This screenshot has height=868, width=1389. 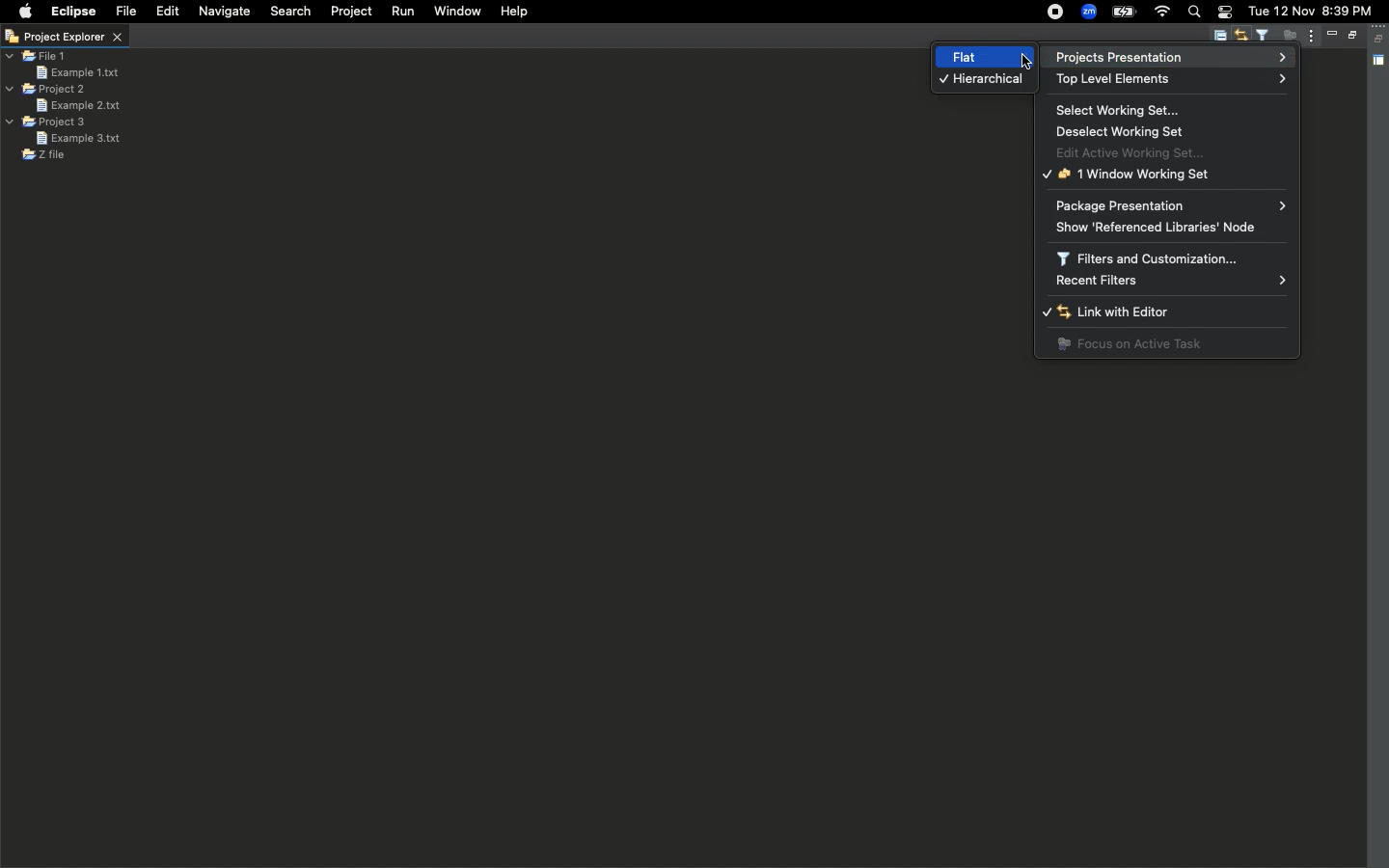 I want to click on Internet, so click(x=1162, y=12).